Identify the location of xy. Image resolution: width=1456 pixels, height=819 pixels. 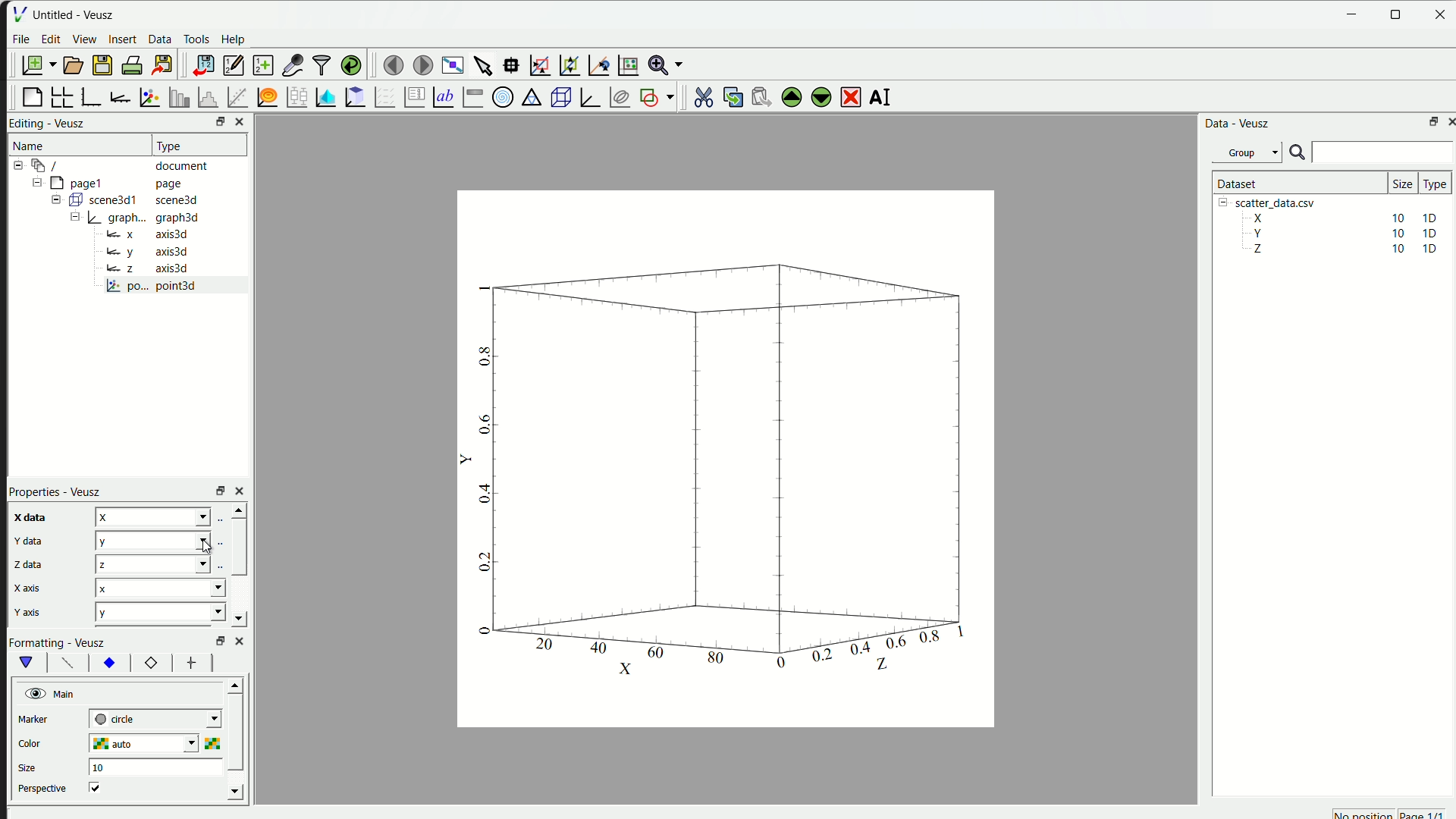
(110, 664).